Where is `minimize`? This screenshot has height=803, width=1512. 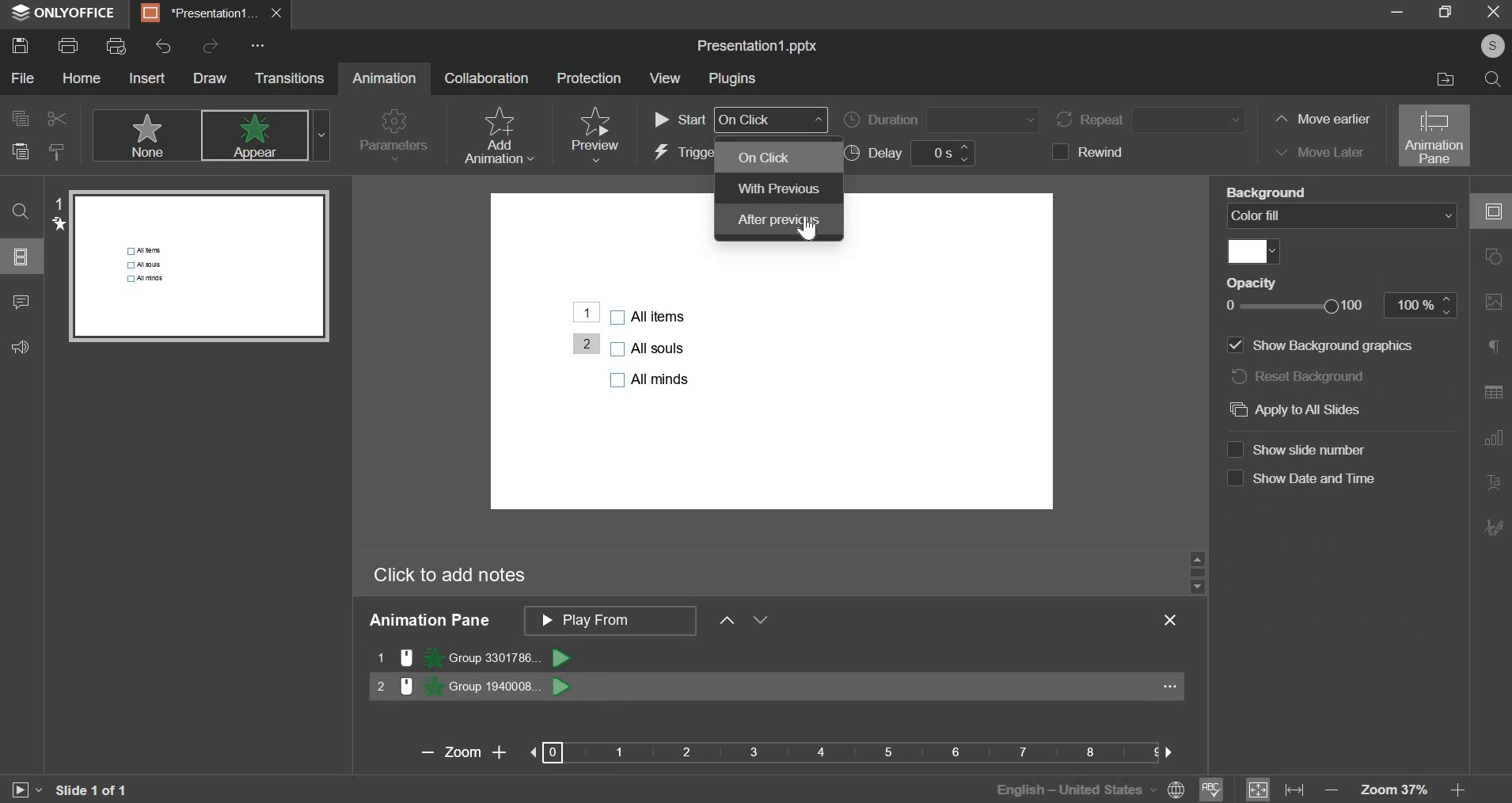
minimize is located at coordinates (1394, 16).